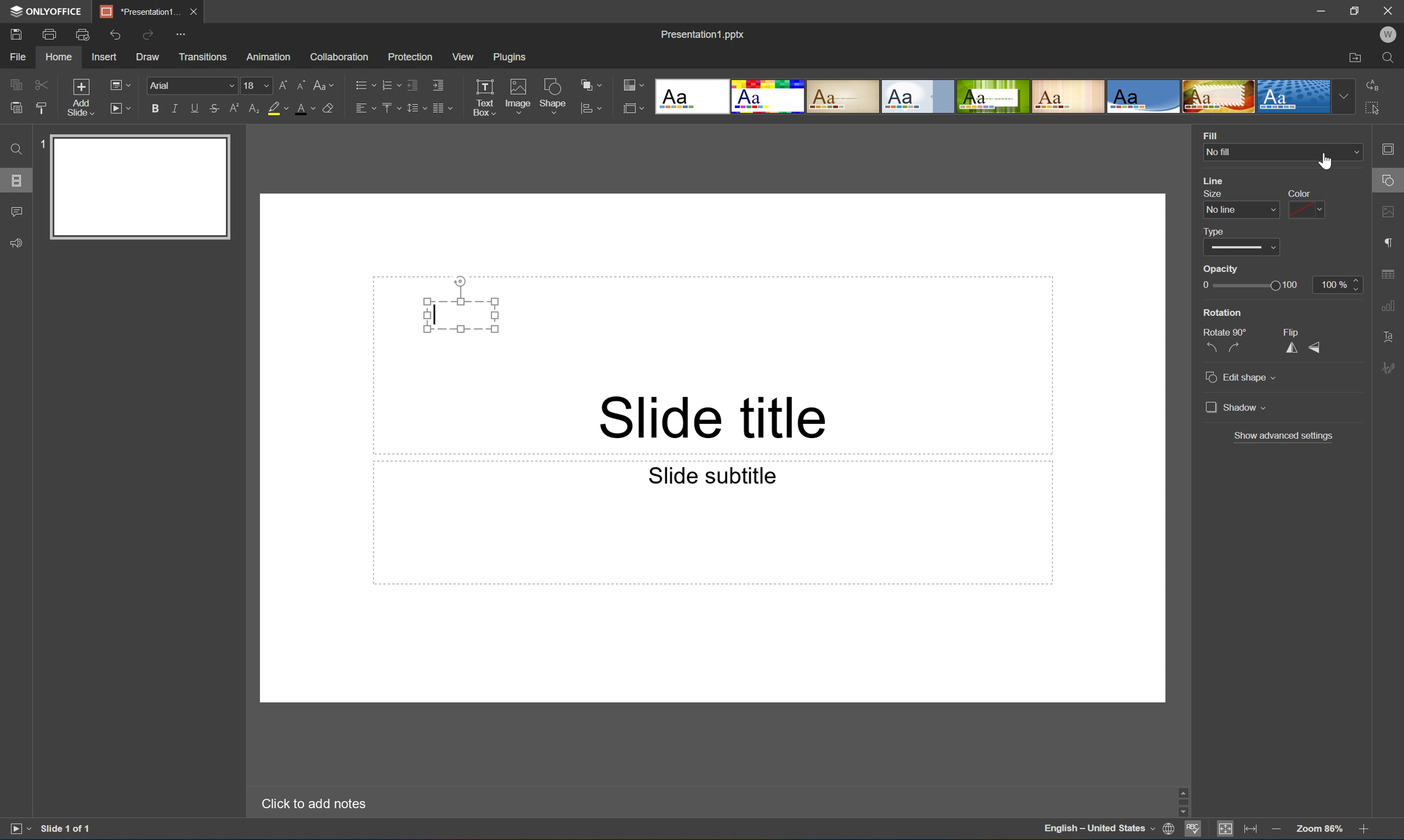 The width and height of the screenshot is (1404, 840). Describe the element at coordinates (1389, 336) in the screenshot. I see `Text Art settings` at that location.